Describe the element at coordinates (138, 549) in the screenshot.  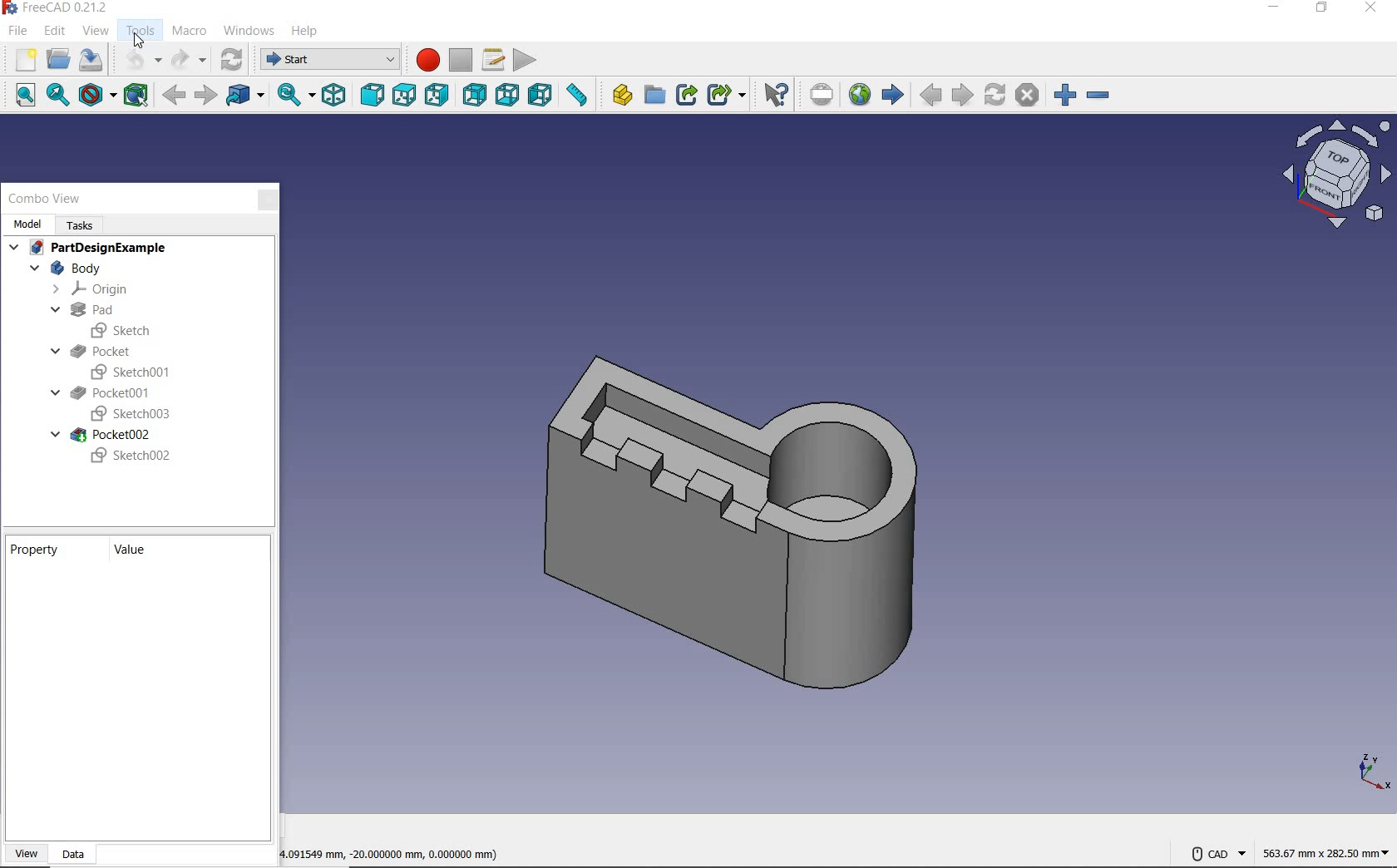
I see `Value` at that location.